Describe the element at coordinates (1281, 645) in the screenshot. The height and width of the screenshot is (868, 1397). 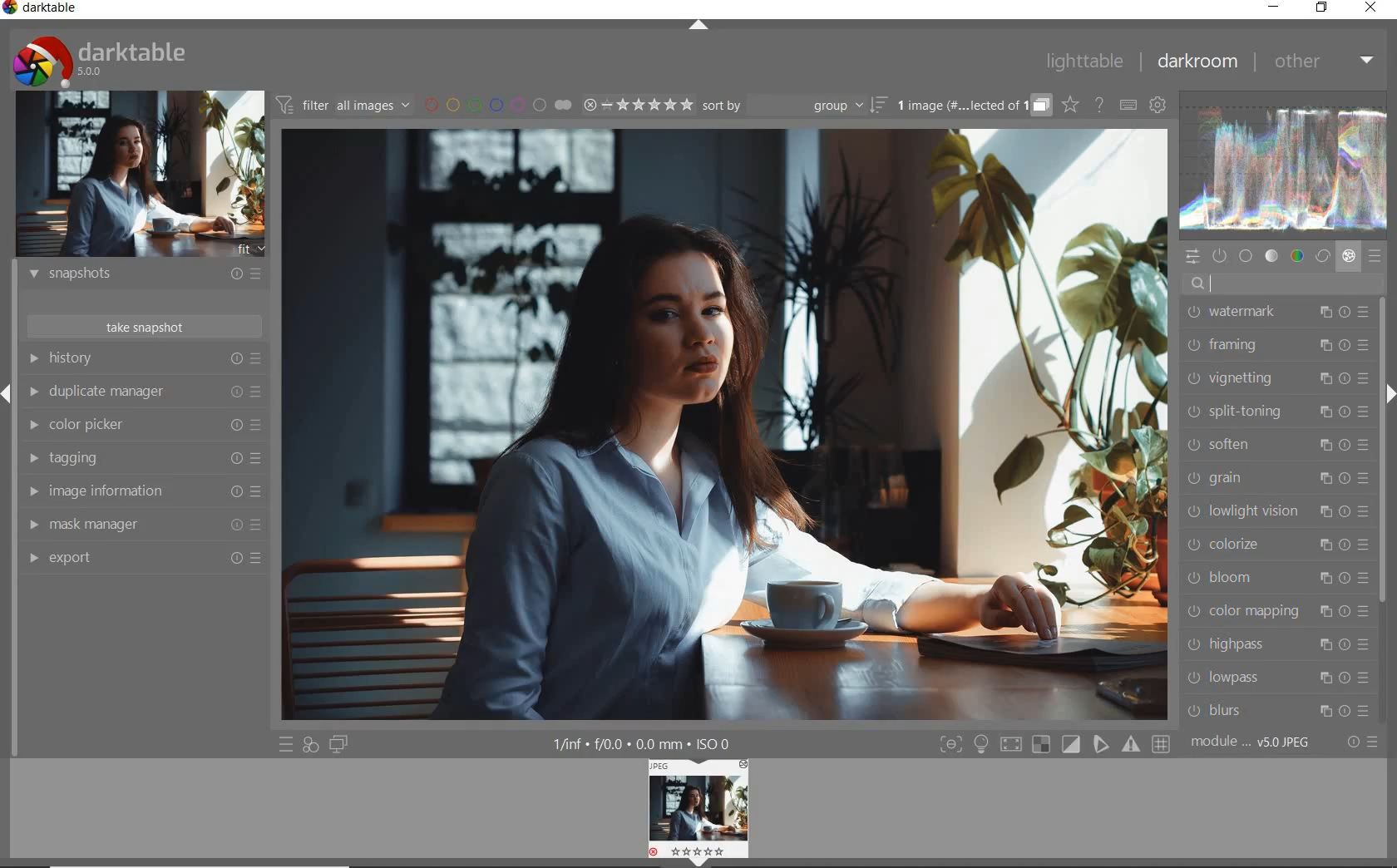
I see `highpass` at that location.